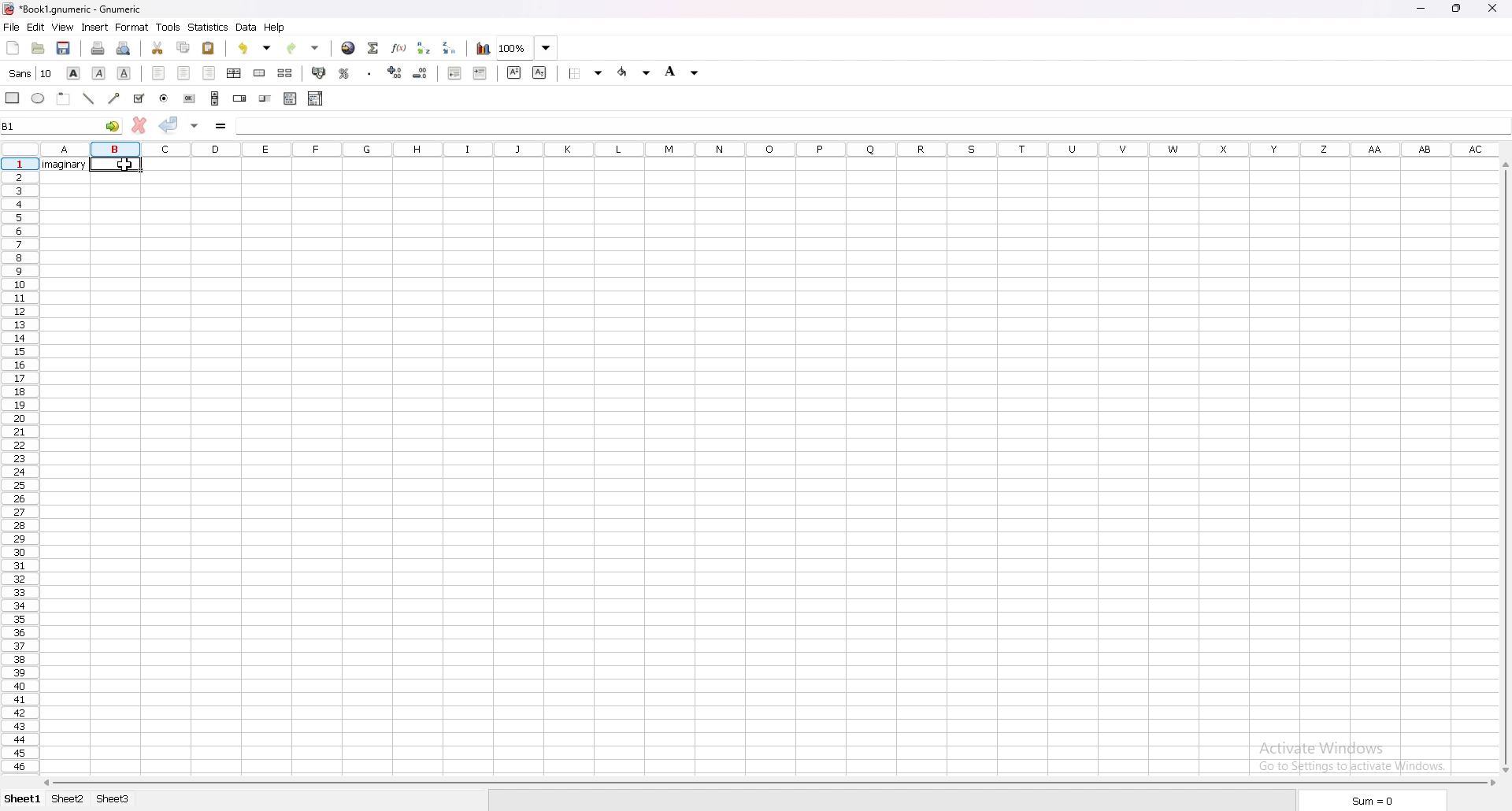 This screenshot has height=811, width=1512. I want to click on data, so click(248, 28).